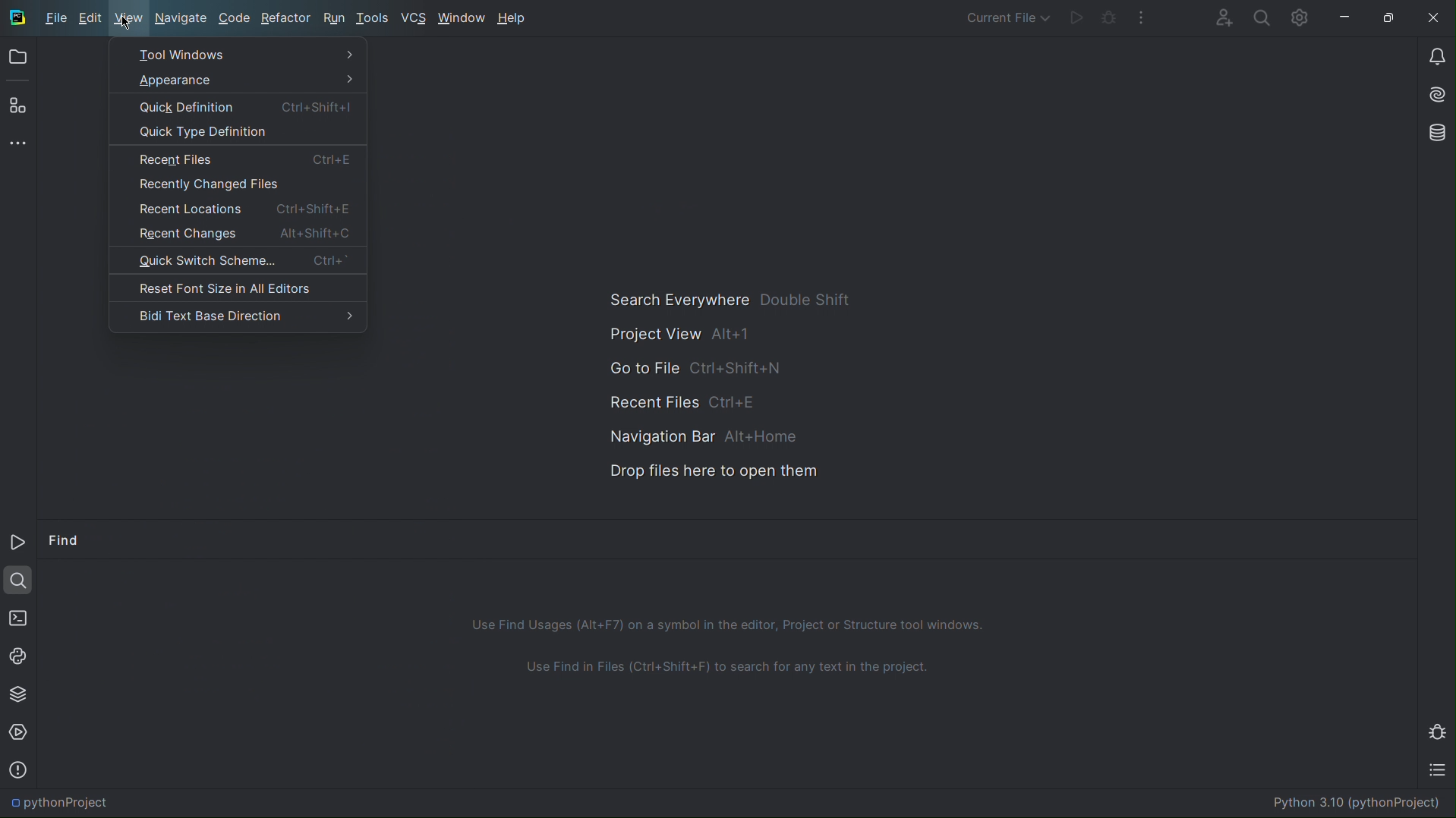  What do you see at coordinates (18, 578) in the screenshot?
I see `Find` at bounding box center [18, 578].